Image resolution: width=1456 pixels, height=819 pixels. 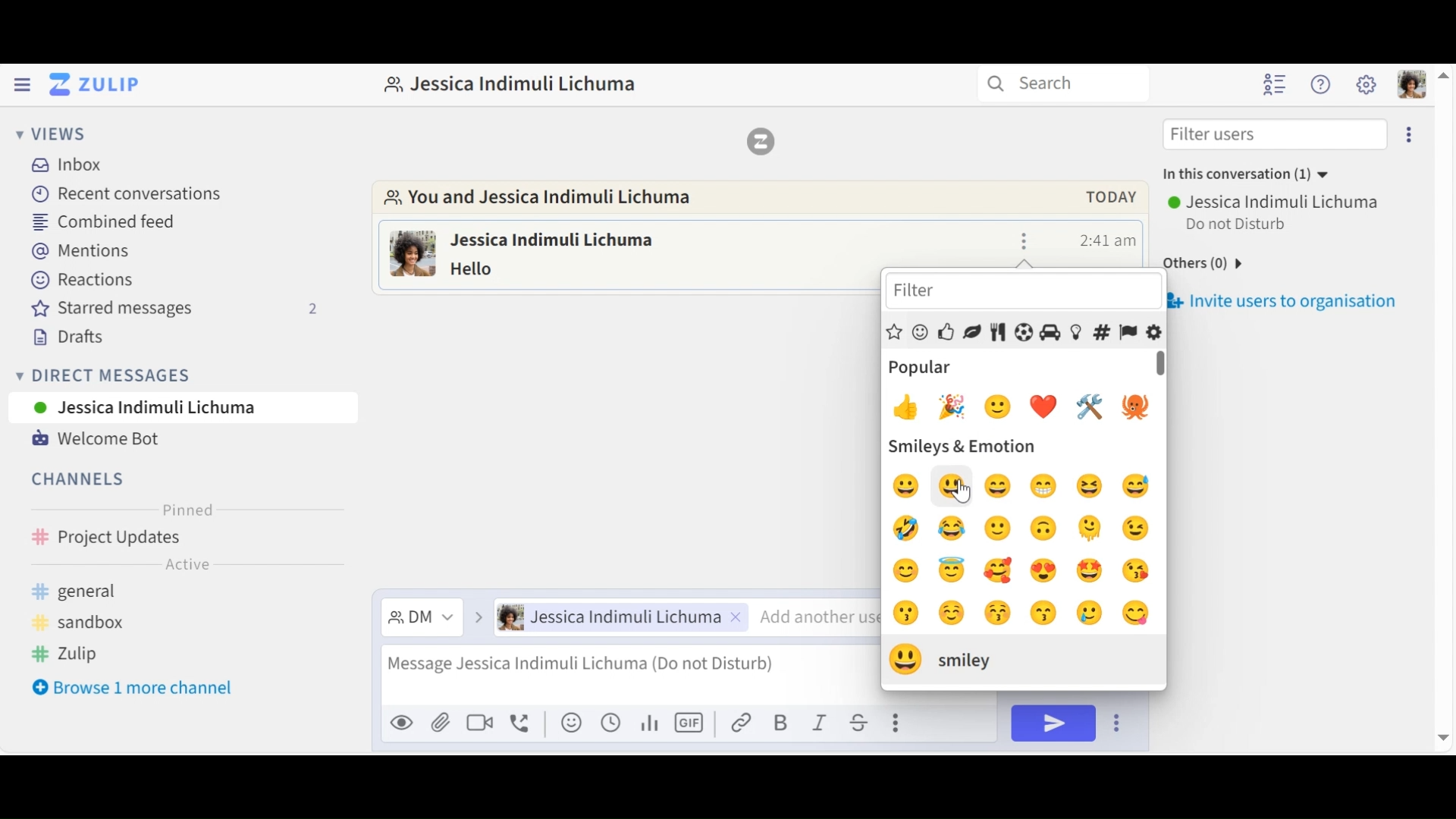 I want to click on Objects, so click(x=1077, y=332).